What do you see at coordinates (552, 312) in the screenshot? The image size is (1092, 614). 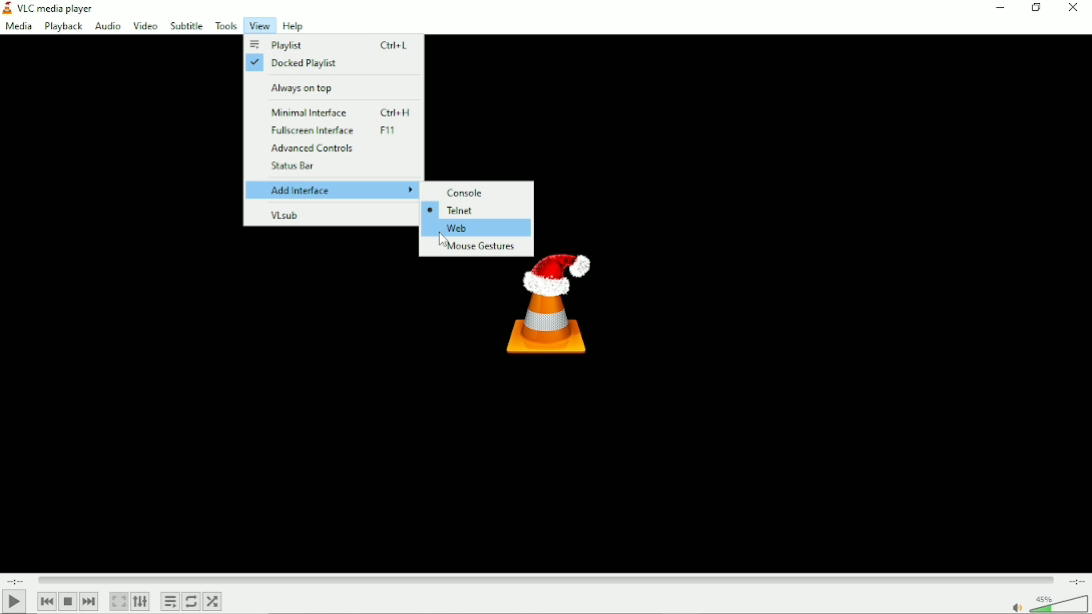 I see `Logo` at bounding box center [552, 312].